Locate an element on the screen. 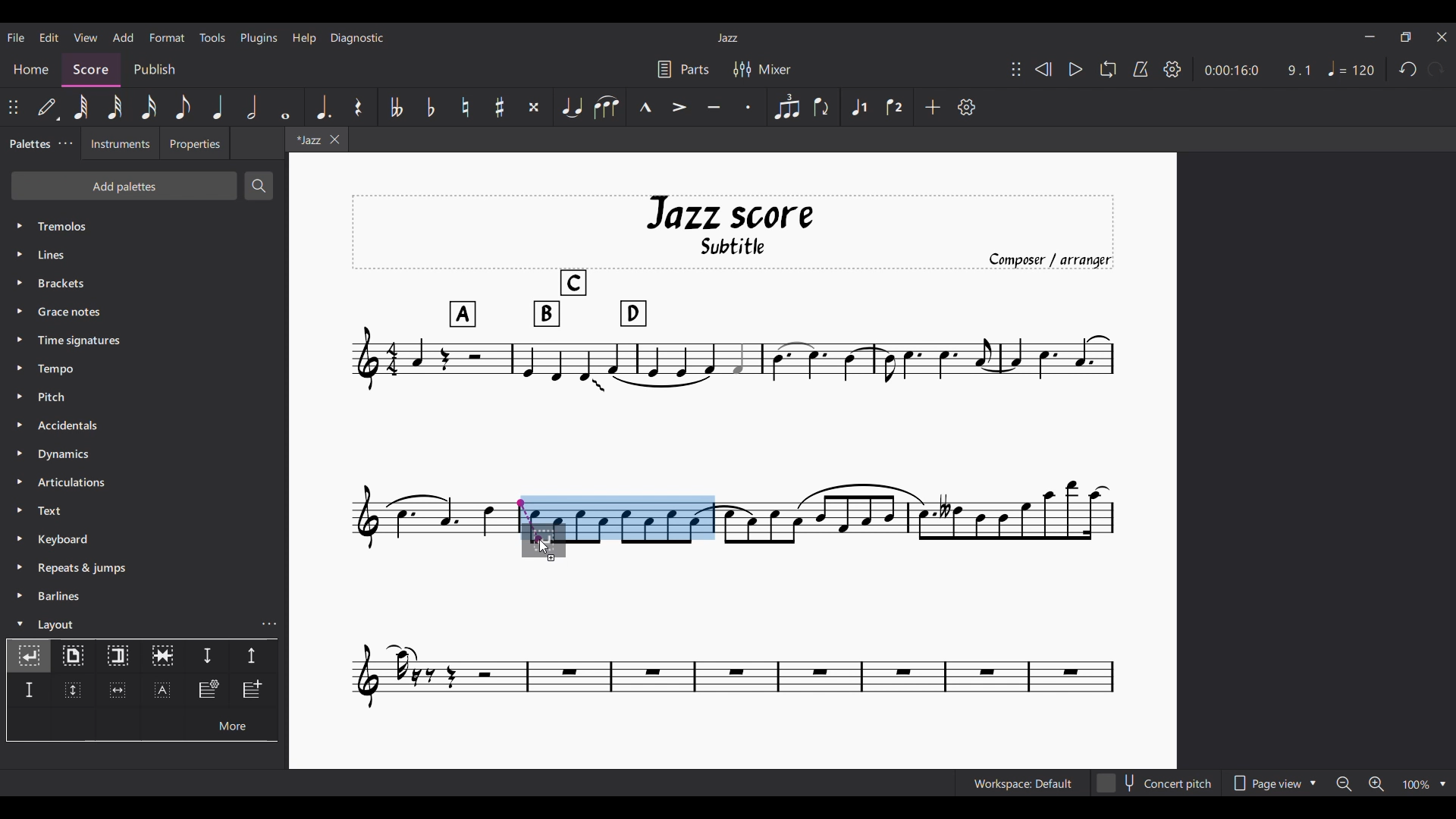  Zoom in is located at coordinates (1376, 783).